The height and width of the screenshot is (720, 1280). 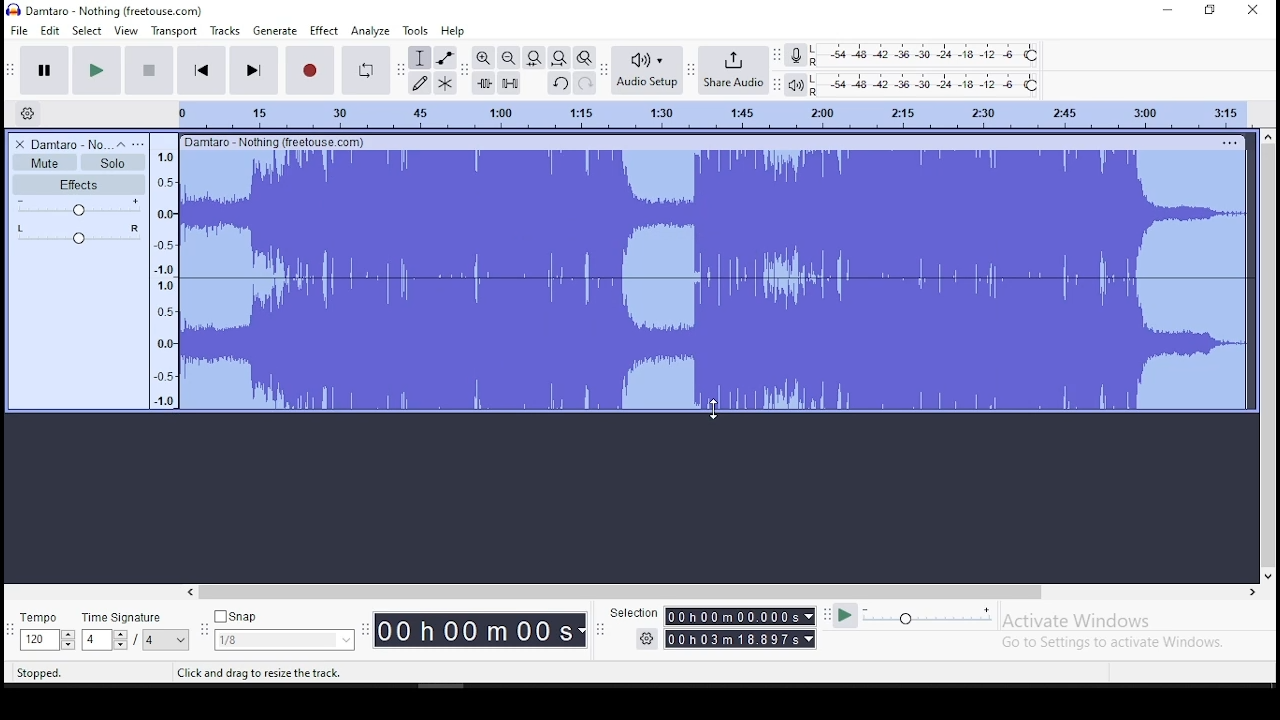 I want to click on , so click(x=161, y=280).